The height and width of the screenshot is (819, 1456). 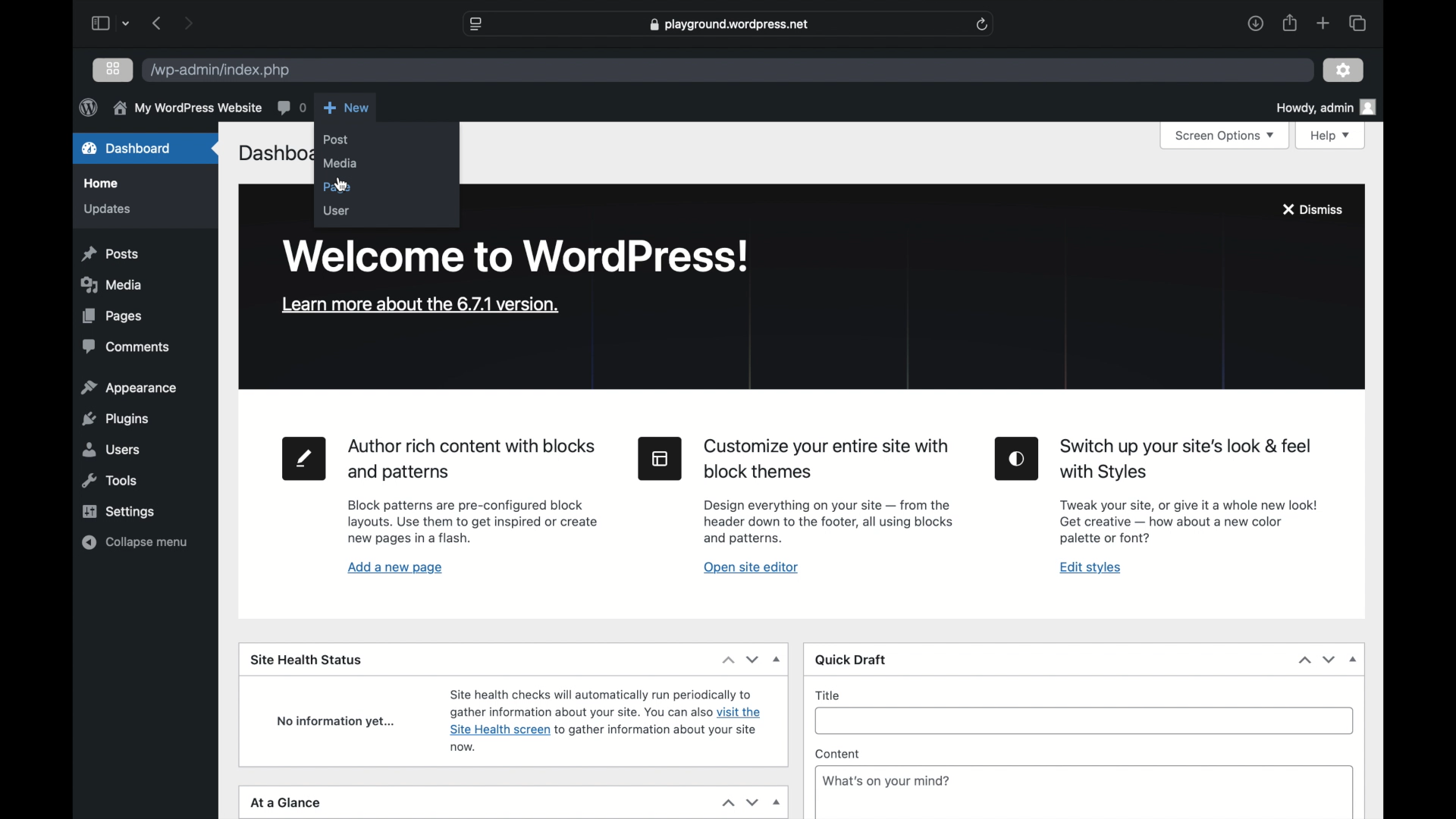 I want to click on show sidebar, so click(x=99, y=23).